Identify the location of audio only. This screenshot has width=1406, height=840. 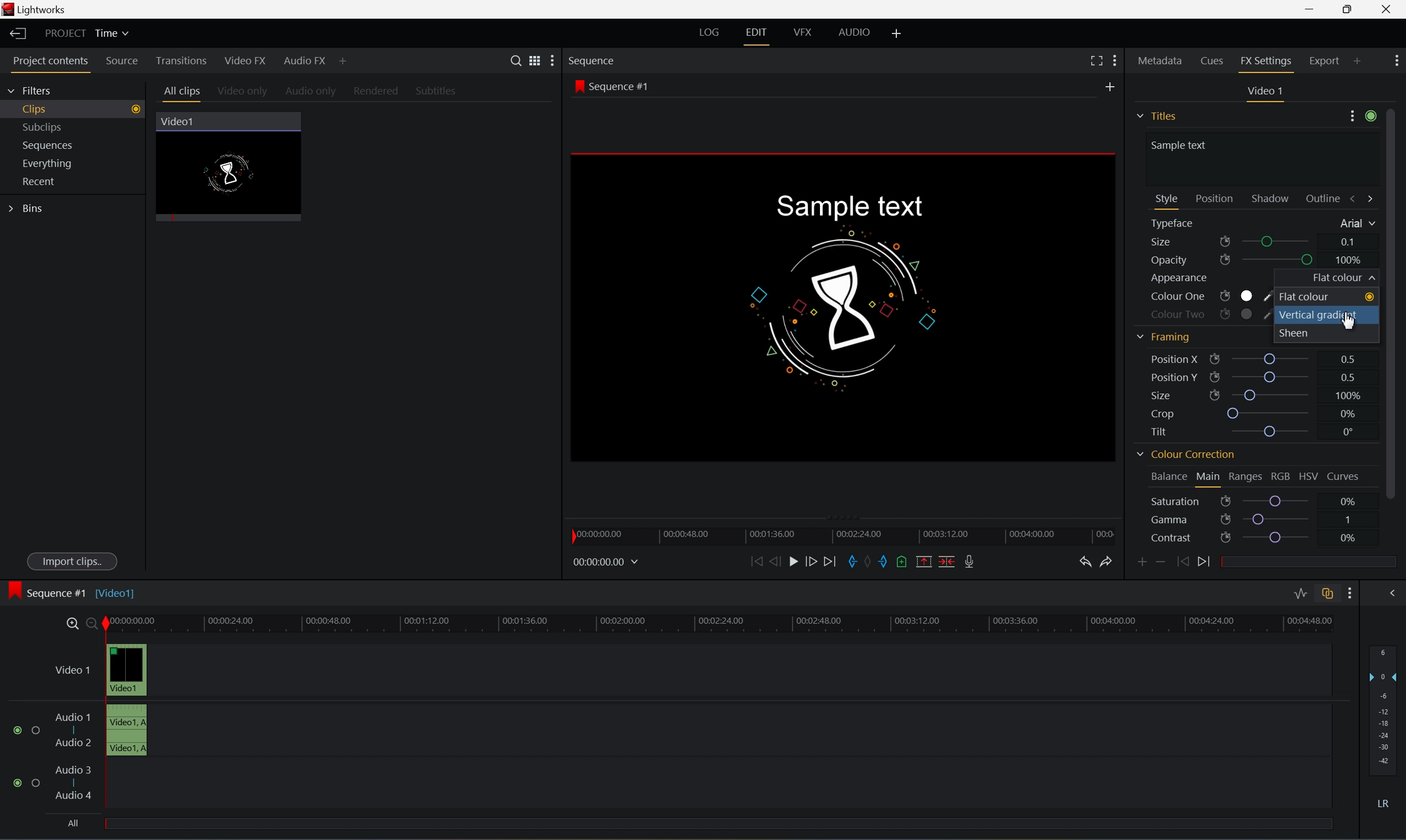
(312, 92).